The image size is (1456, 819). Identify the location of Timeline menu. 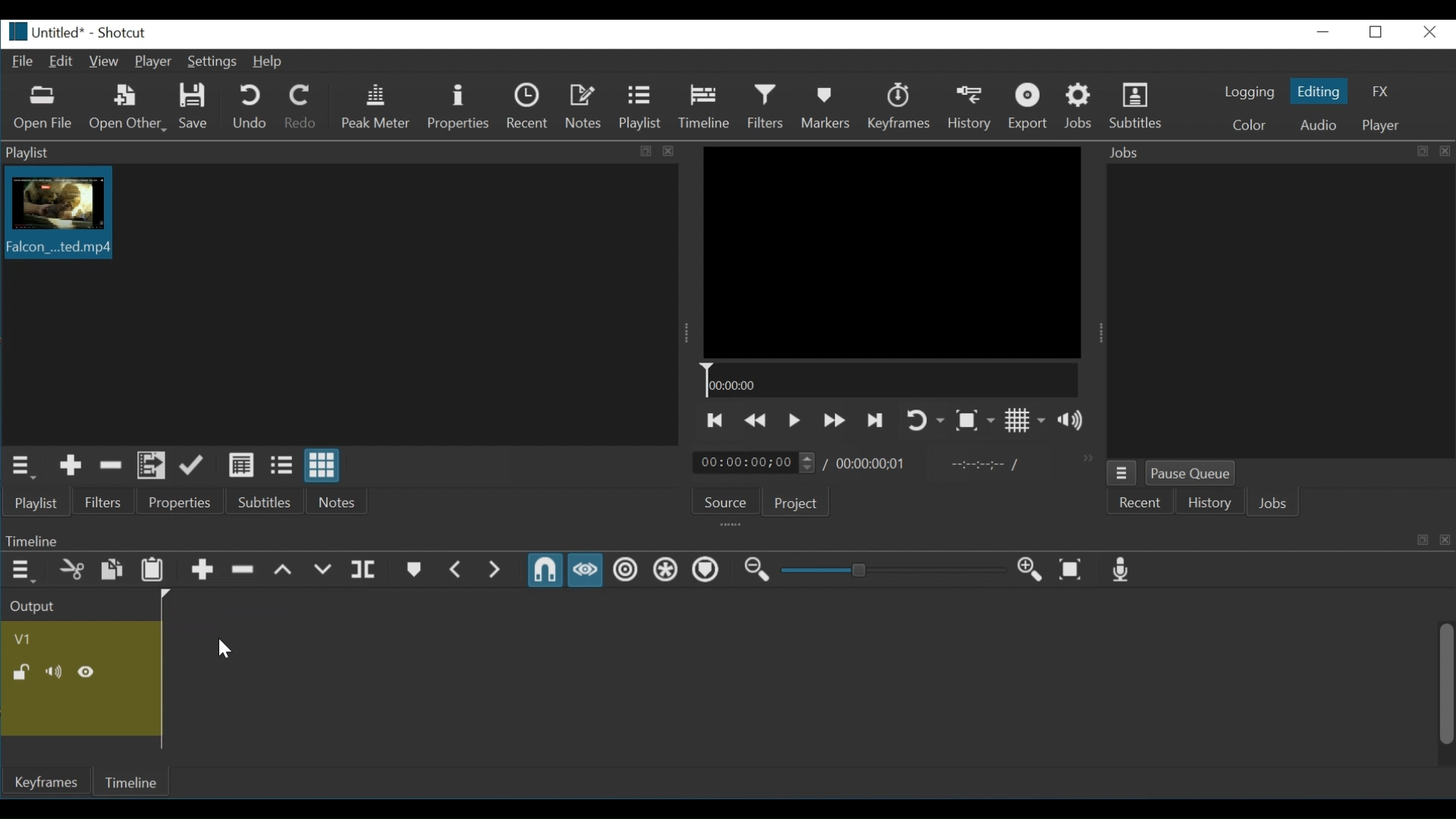
(24, 571).